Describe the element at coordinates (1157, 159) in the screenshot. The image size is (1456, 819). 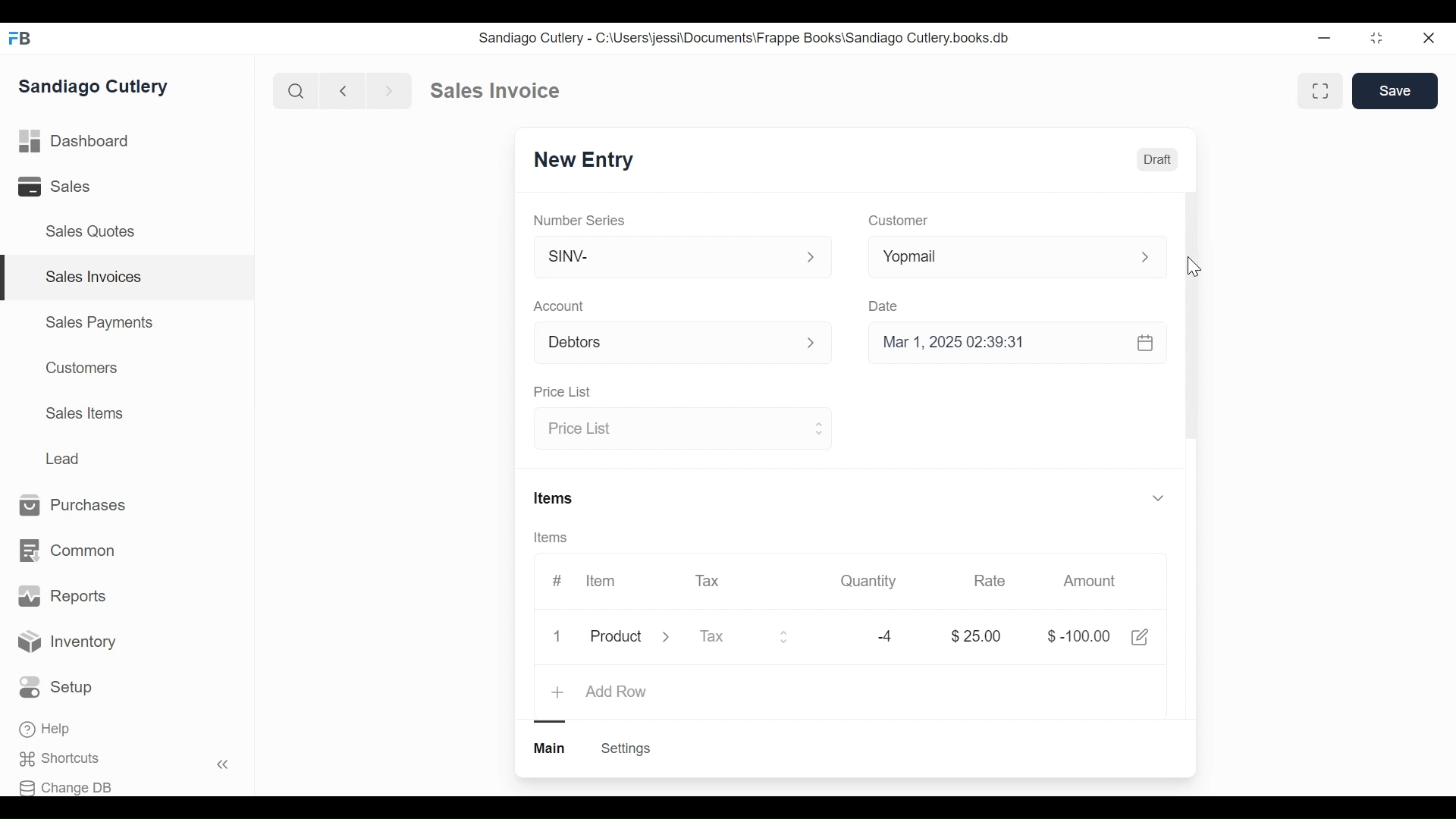
I see `Draft` at that location.